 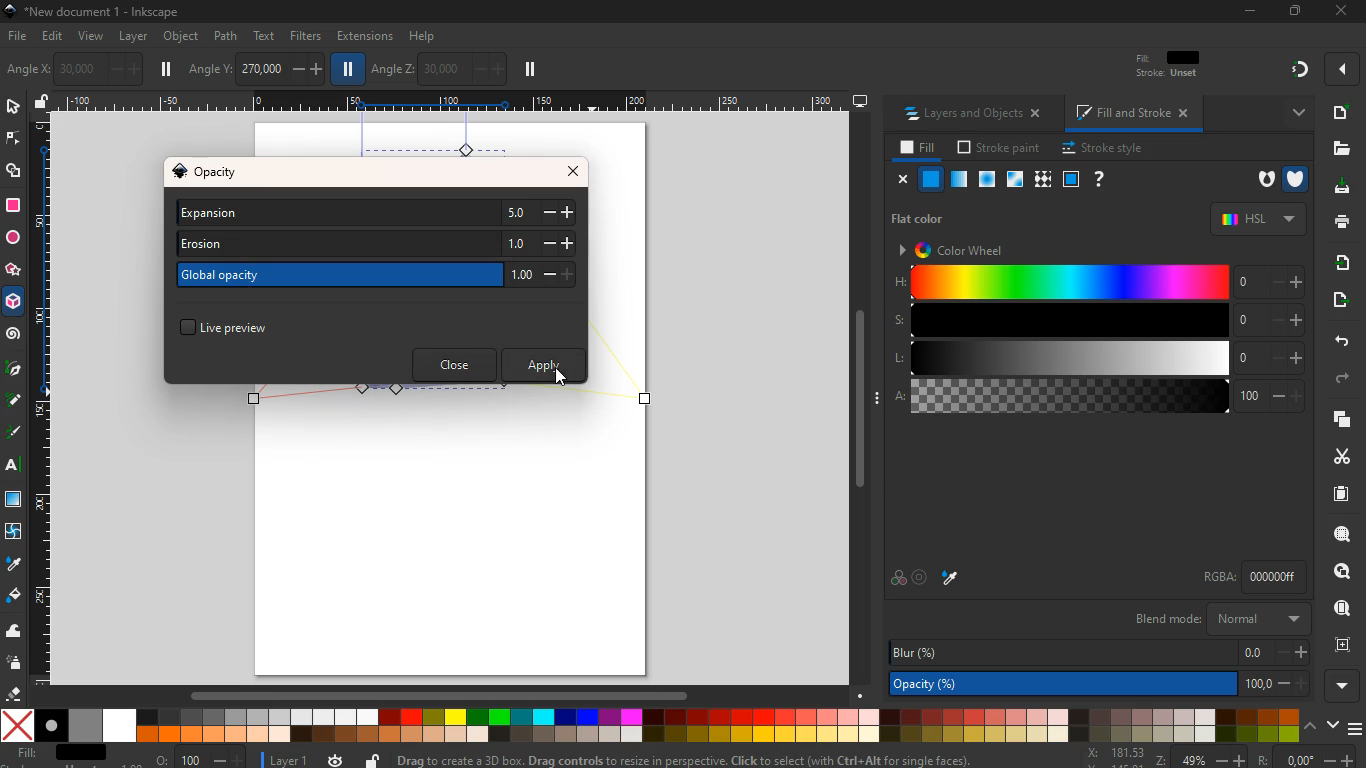 I want to click on angle y, so click(x=255, y=67).